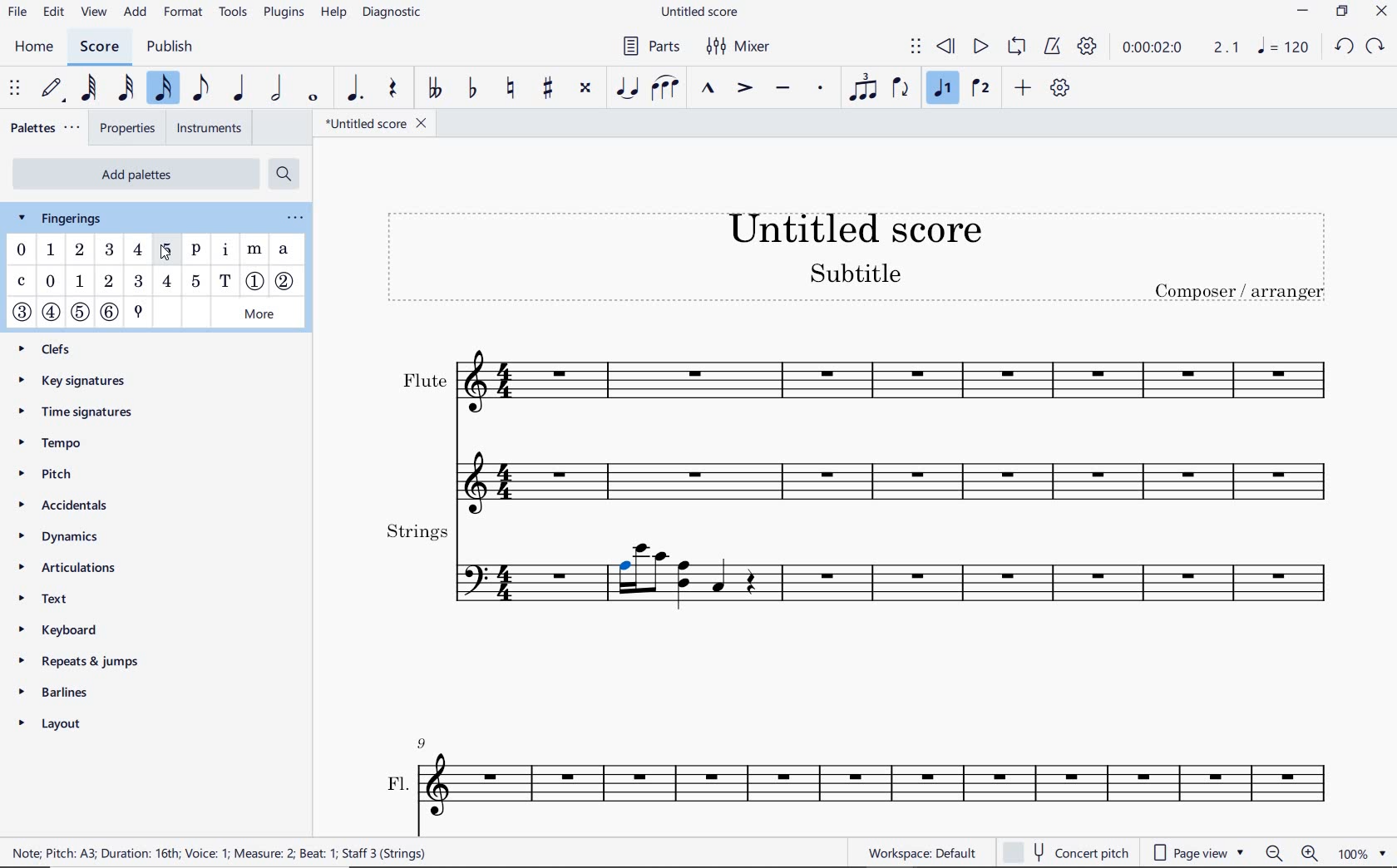  I want to click on select to move, so click(915, 47).